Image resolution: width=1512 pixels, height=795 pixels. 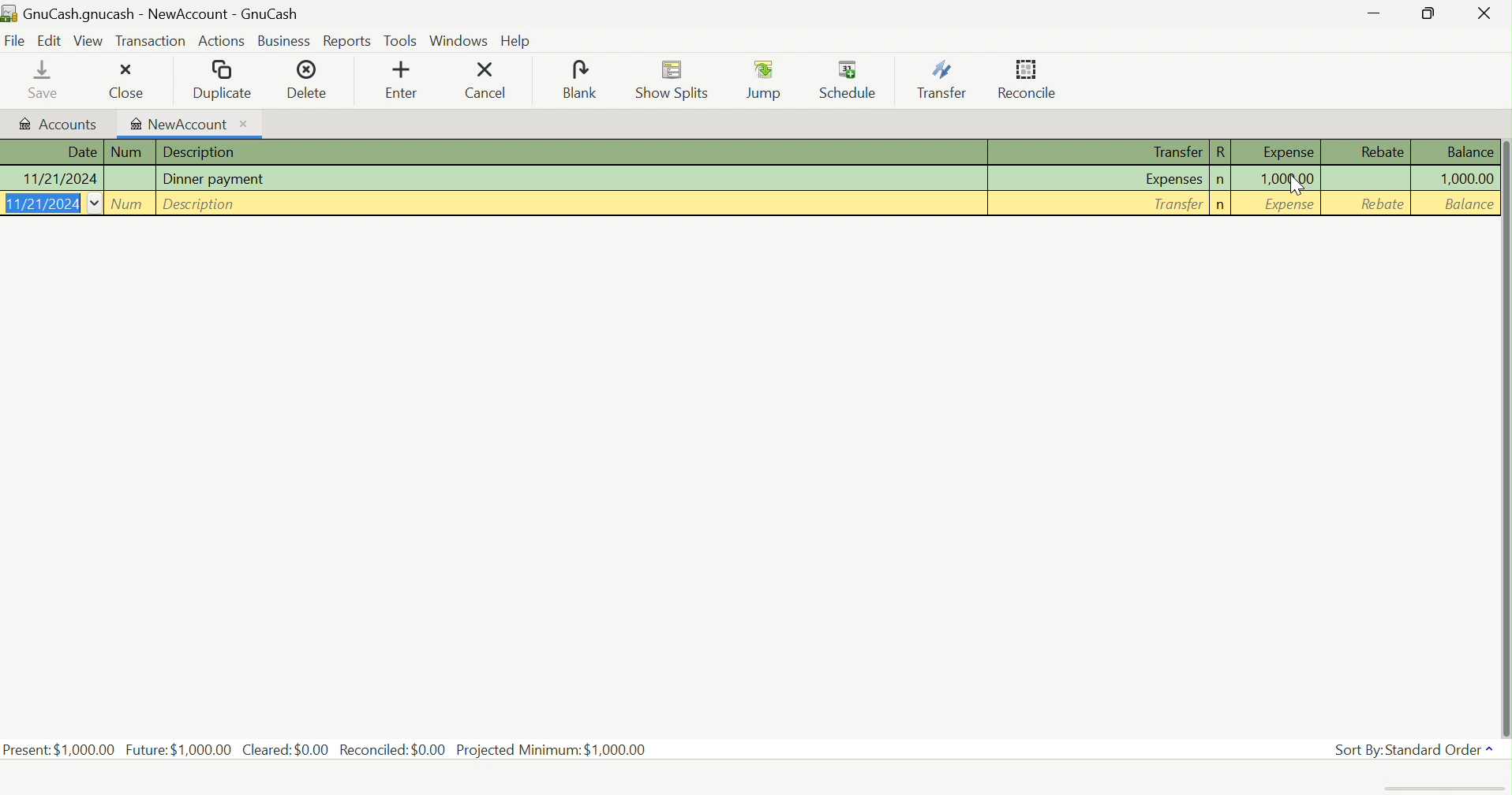 What do you see at coordinates (1221, 153) in the screenshot?
I see `R` at bounding box center [1221, 153].